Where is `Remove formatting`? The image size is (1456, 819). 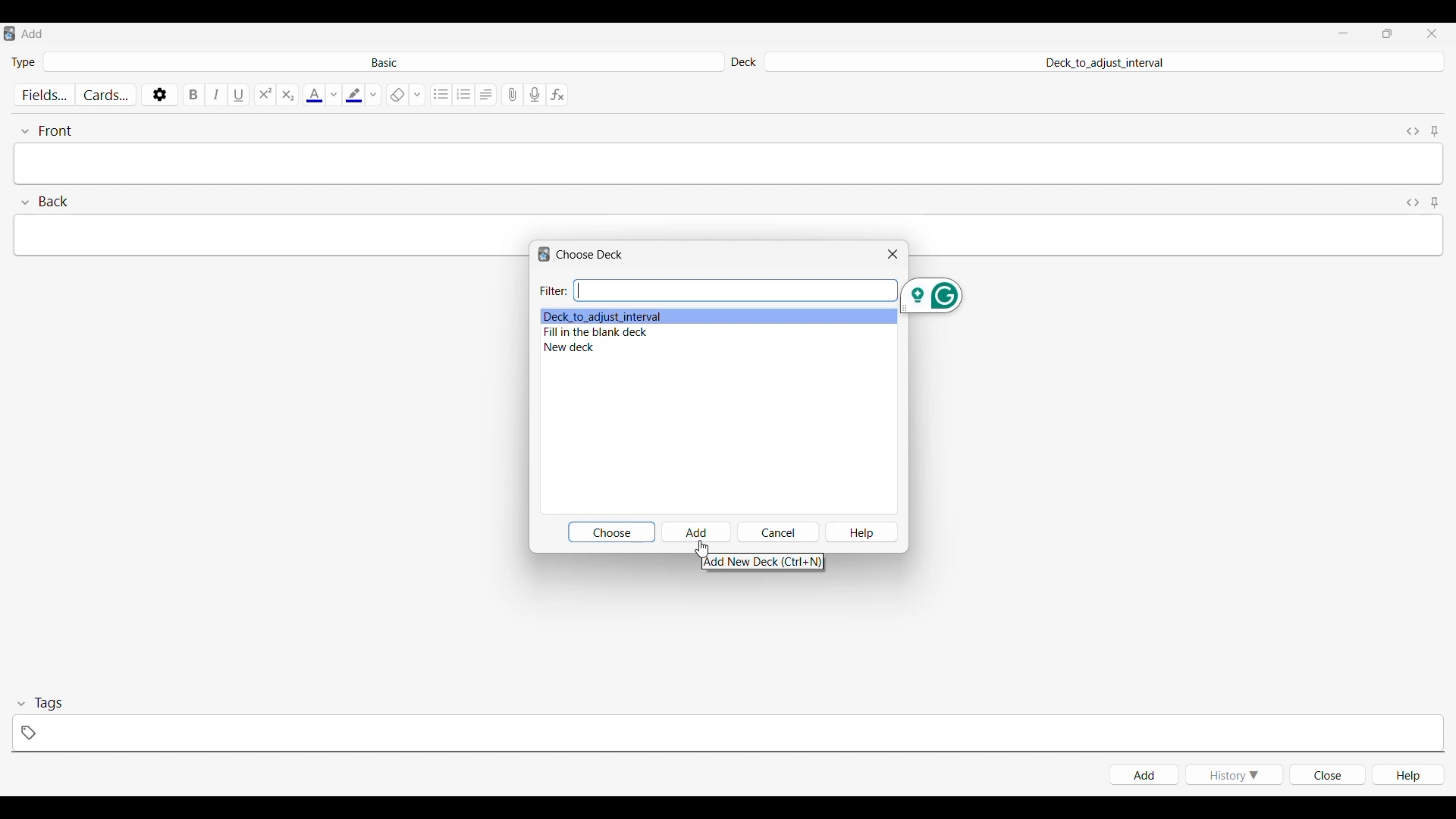
Remove formatting is located at coordinates (397, 95).